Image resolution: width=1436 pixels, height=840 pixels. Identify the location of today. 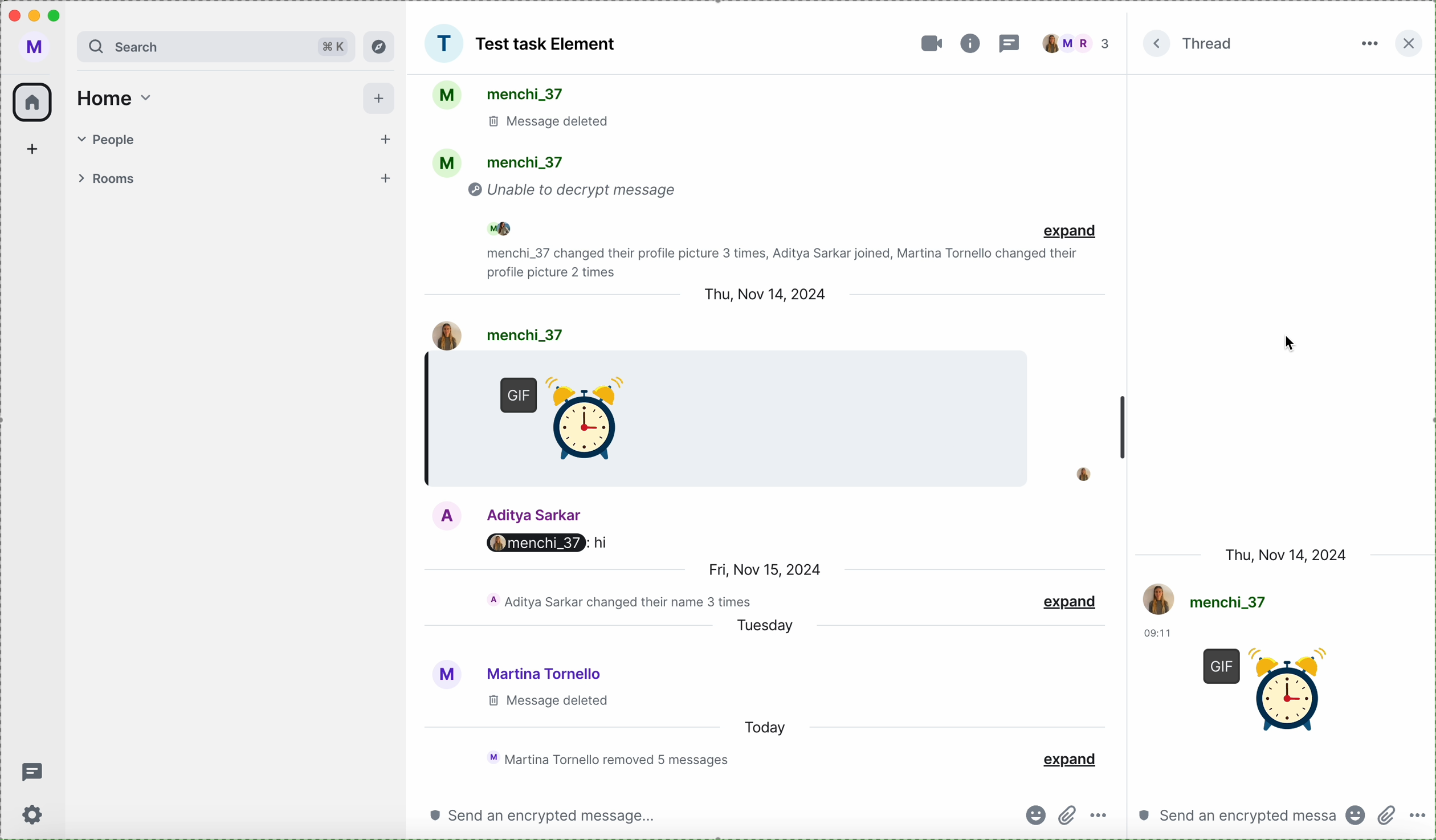
(772, 727).